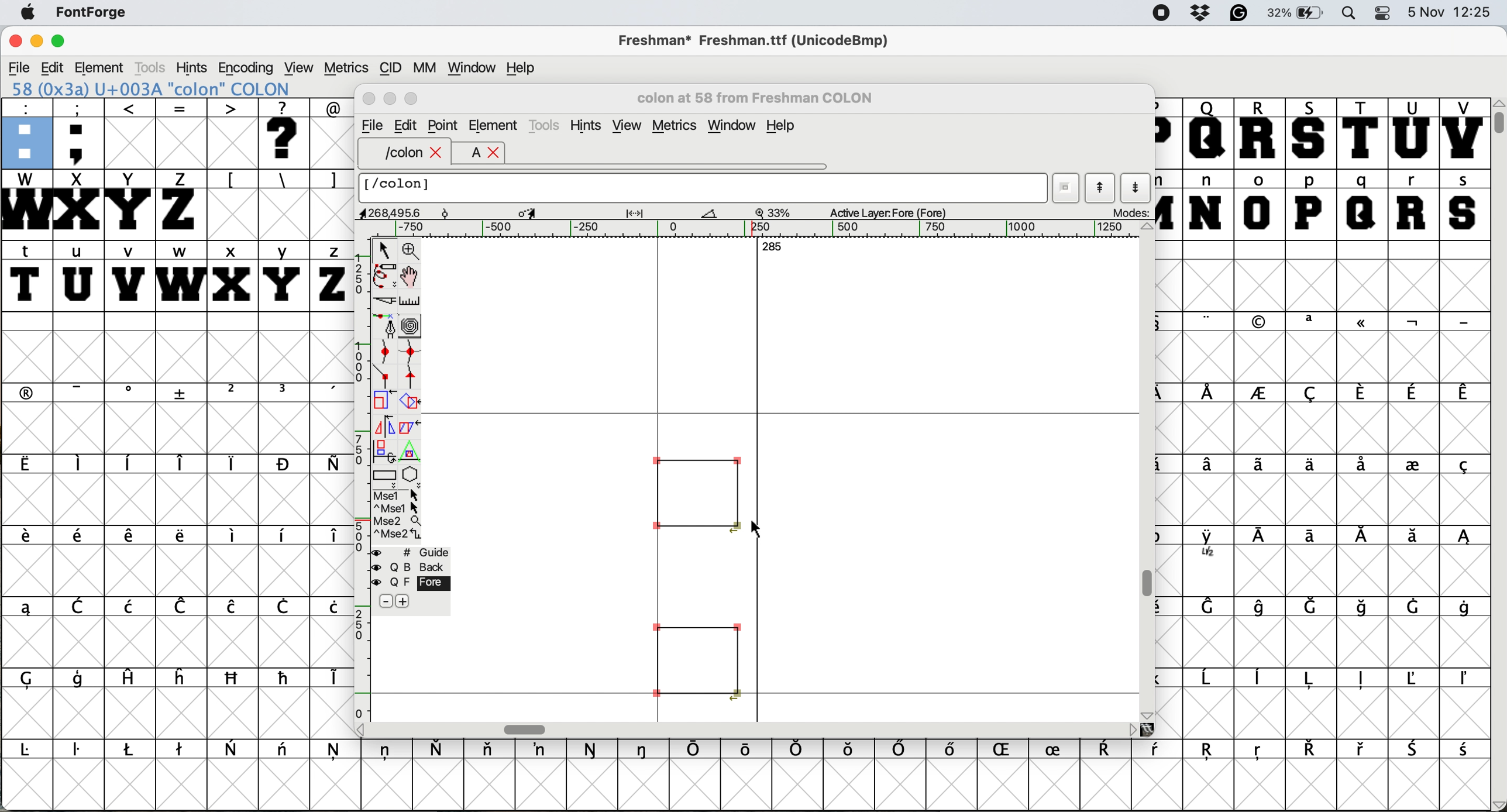  Describe the element at coordinates (1259, 753) in the screenshot. I see `symbol` at that location.